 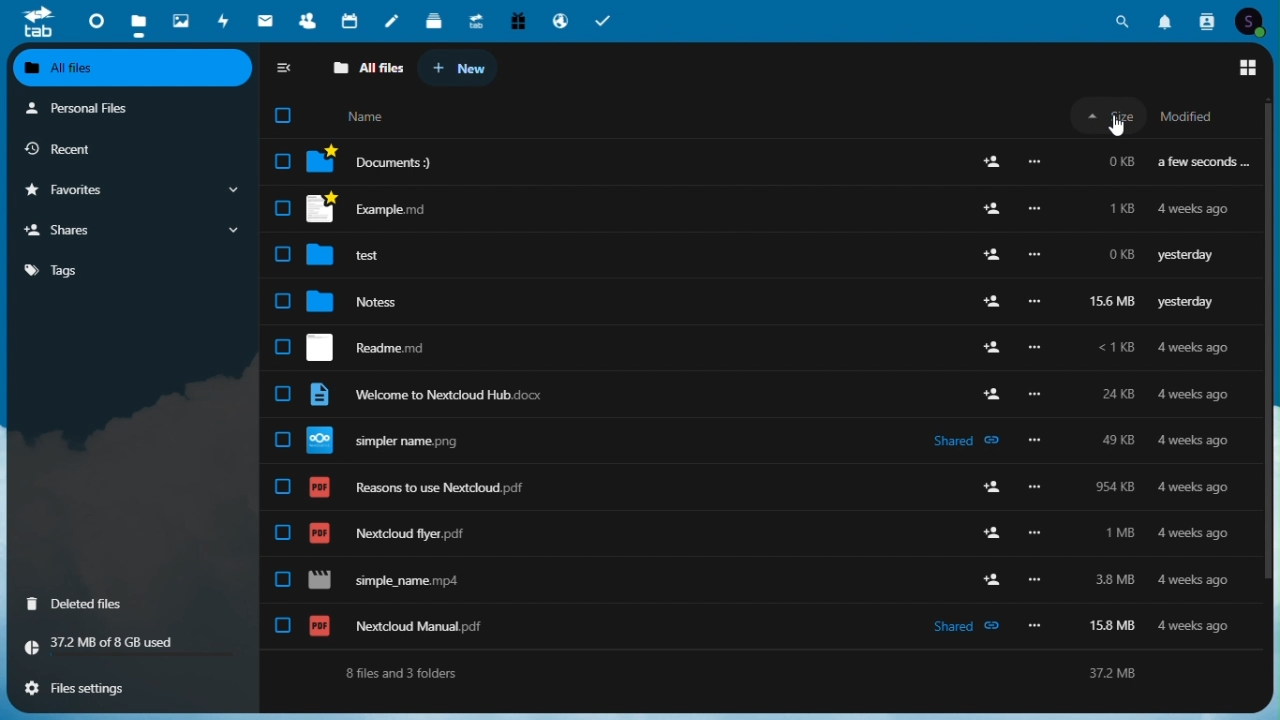 I want to click on contacts, so click(x=307, y=21).